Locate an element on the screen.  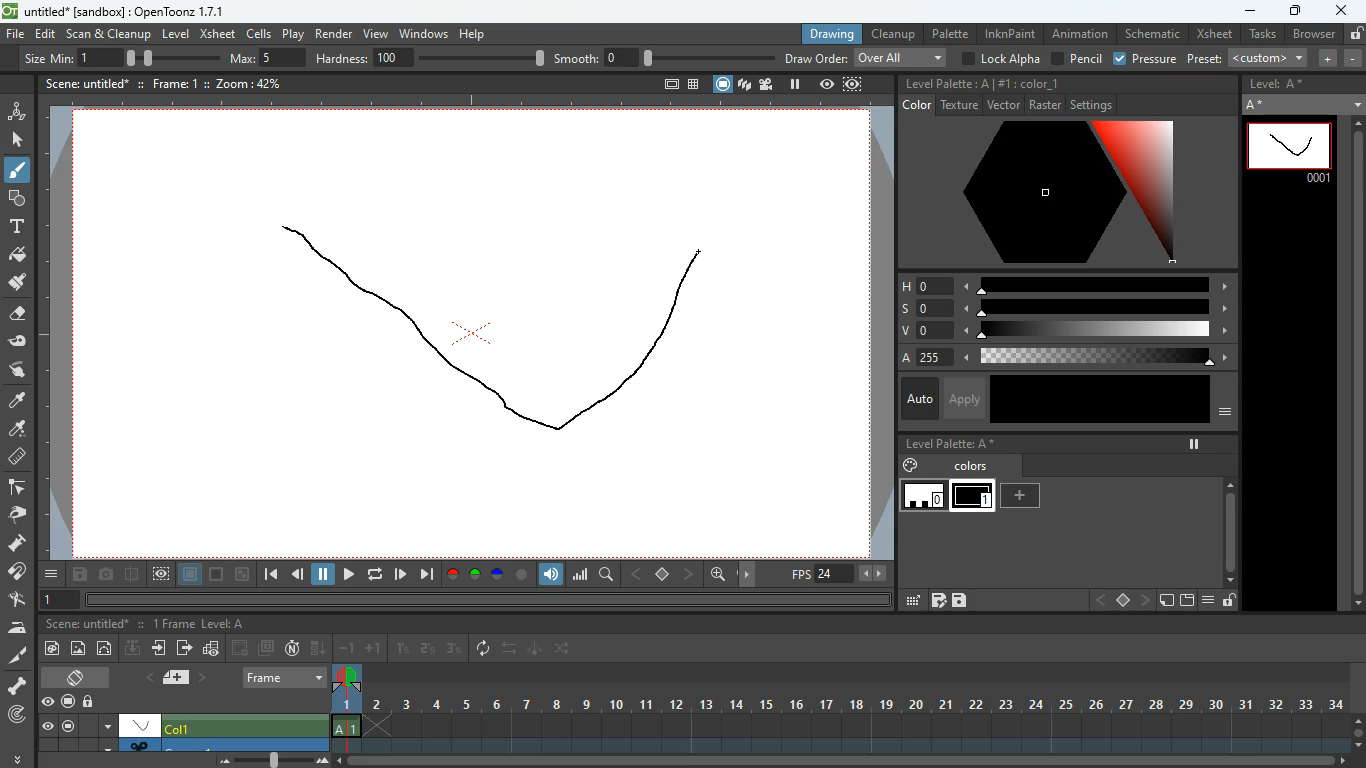
animation is located at coordinates (1082, 34).